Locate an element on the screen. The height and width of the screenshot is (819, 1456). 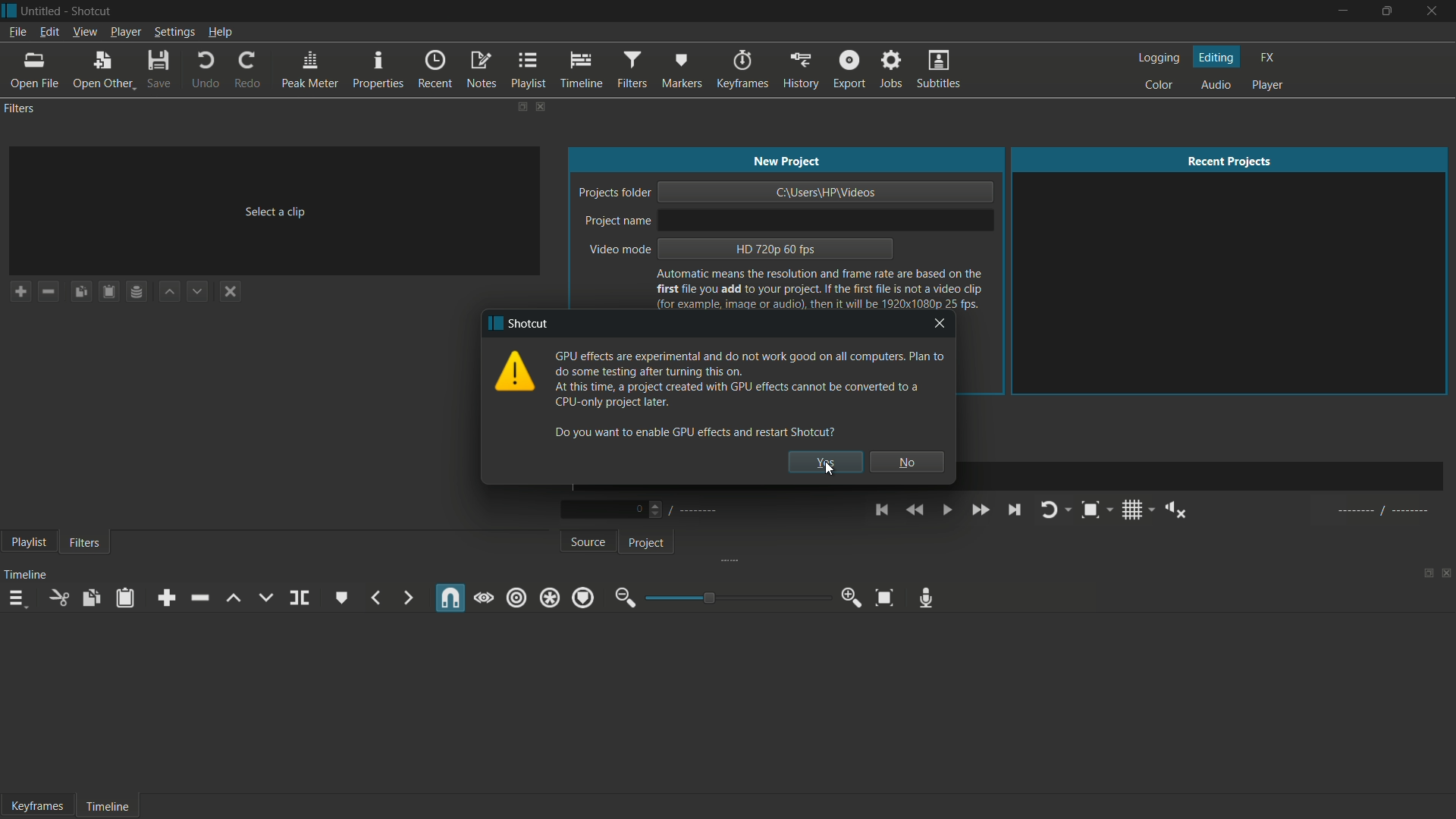
create or edit marker is located at coordinates (339, 597).